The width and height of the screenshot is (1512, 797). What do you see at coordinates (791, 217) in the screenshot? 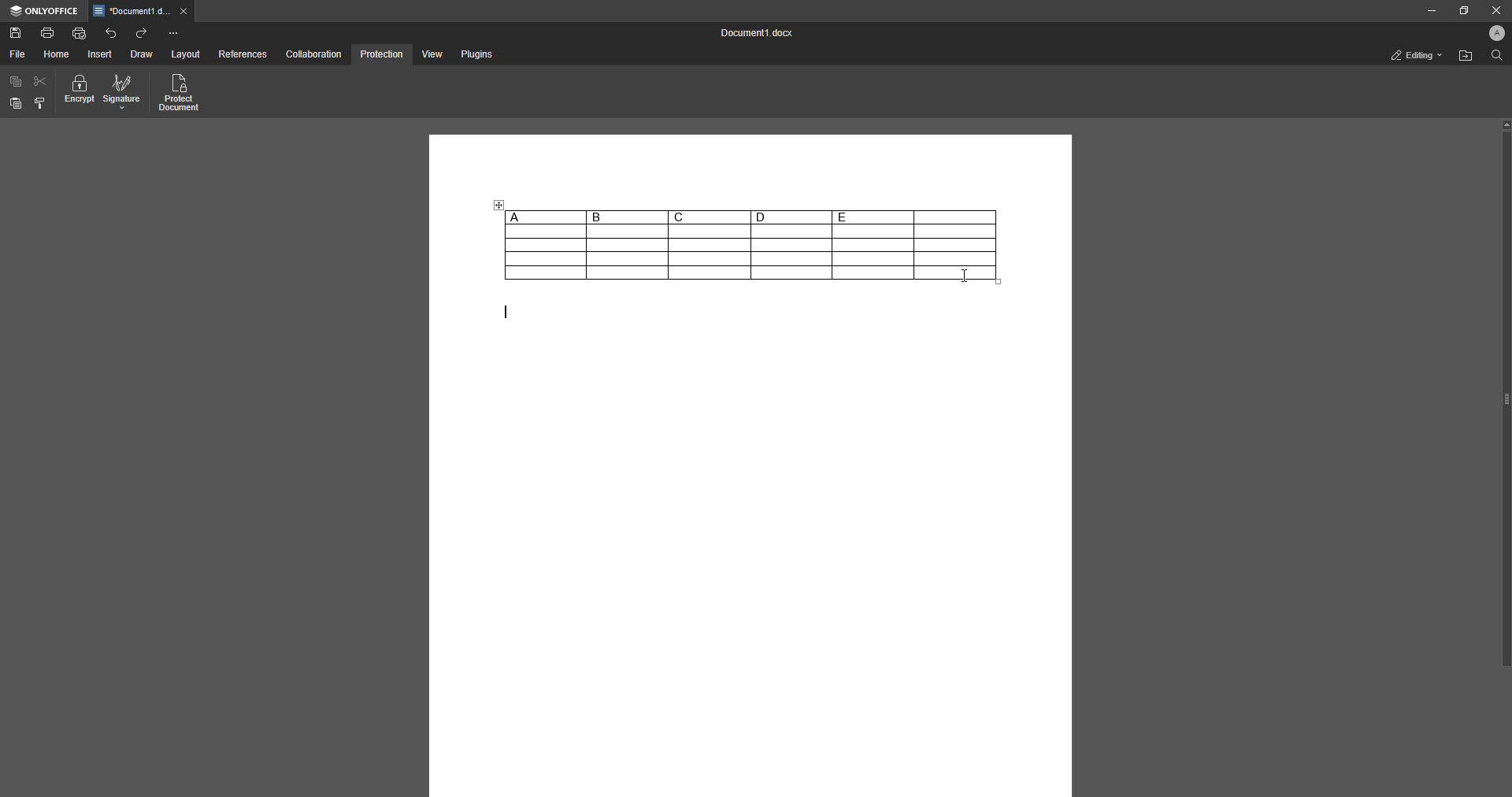
I see `D` at bounding box center [791, 217].